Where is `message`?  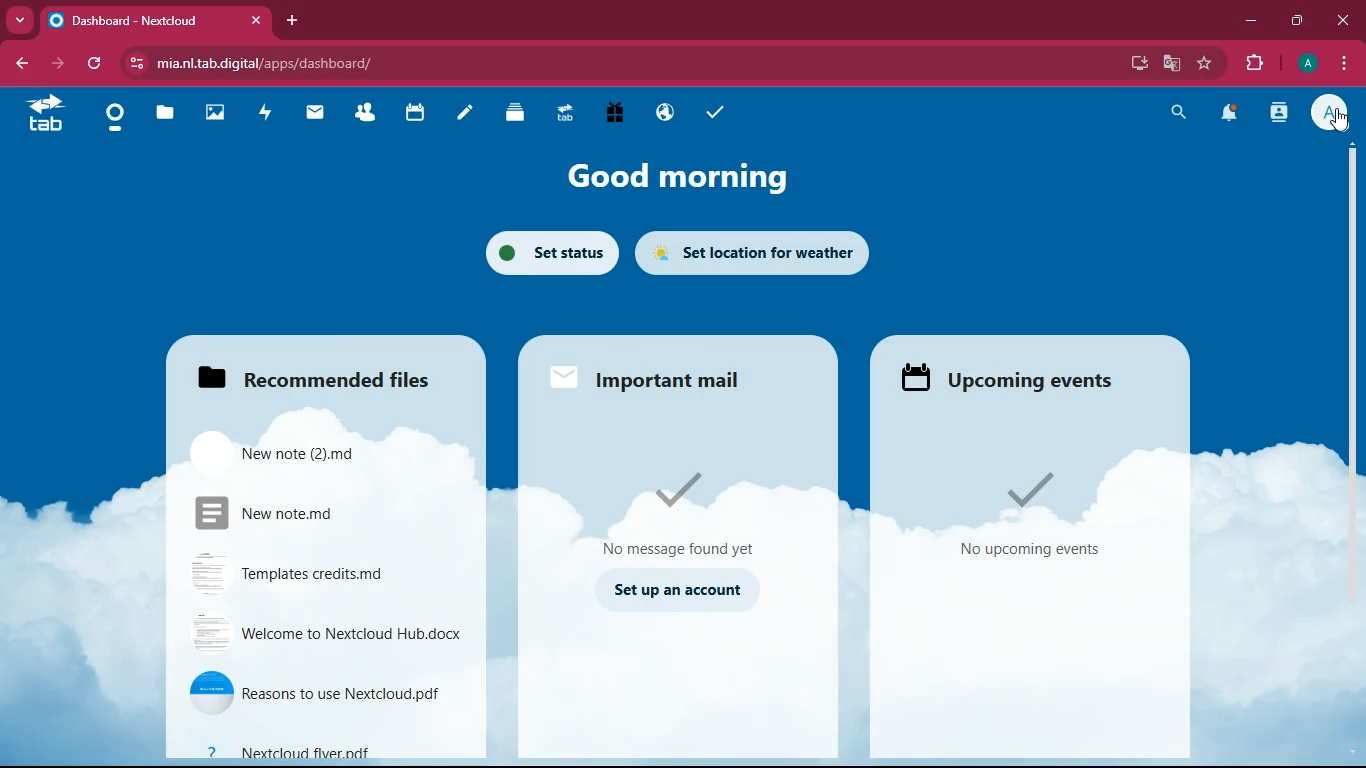 message is located at coordinates (686, 513).